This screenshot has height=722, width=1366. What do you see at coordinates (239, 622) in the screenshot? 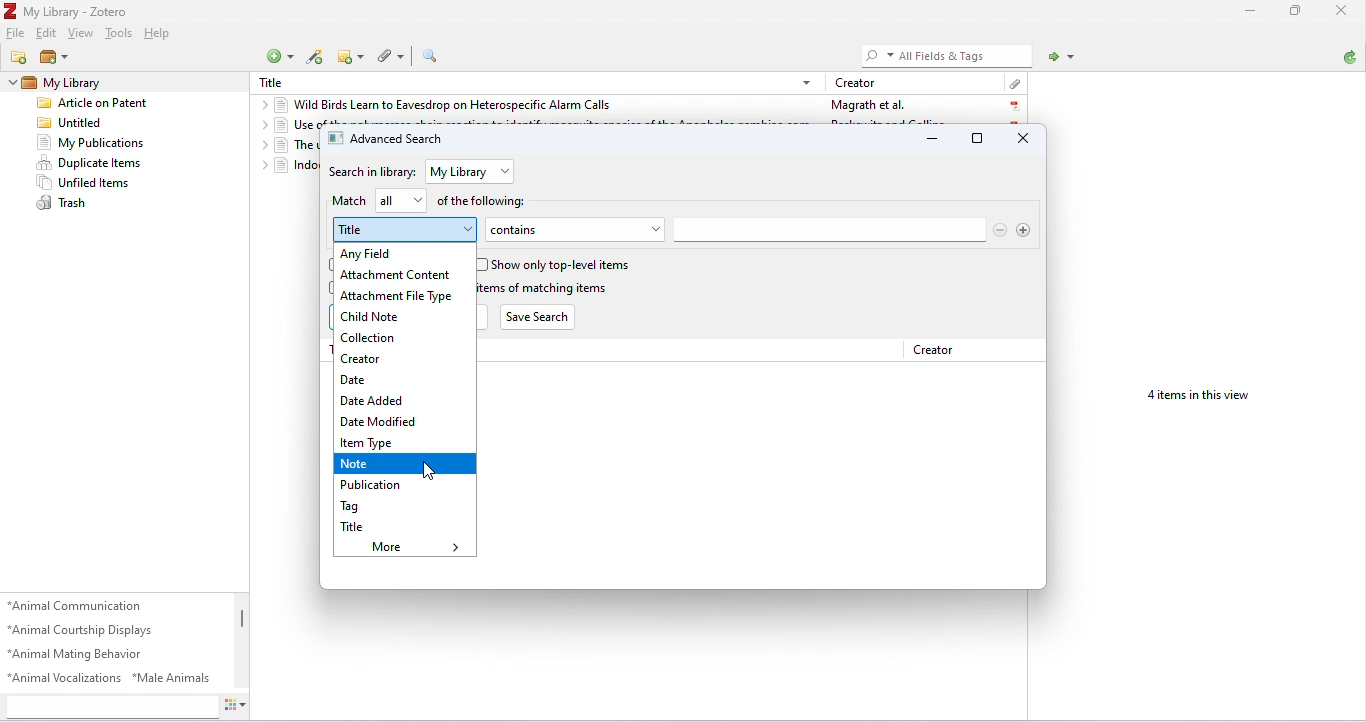
I see `vertical scroll bar` at bounding box center [239, 622].